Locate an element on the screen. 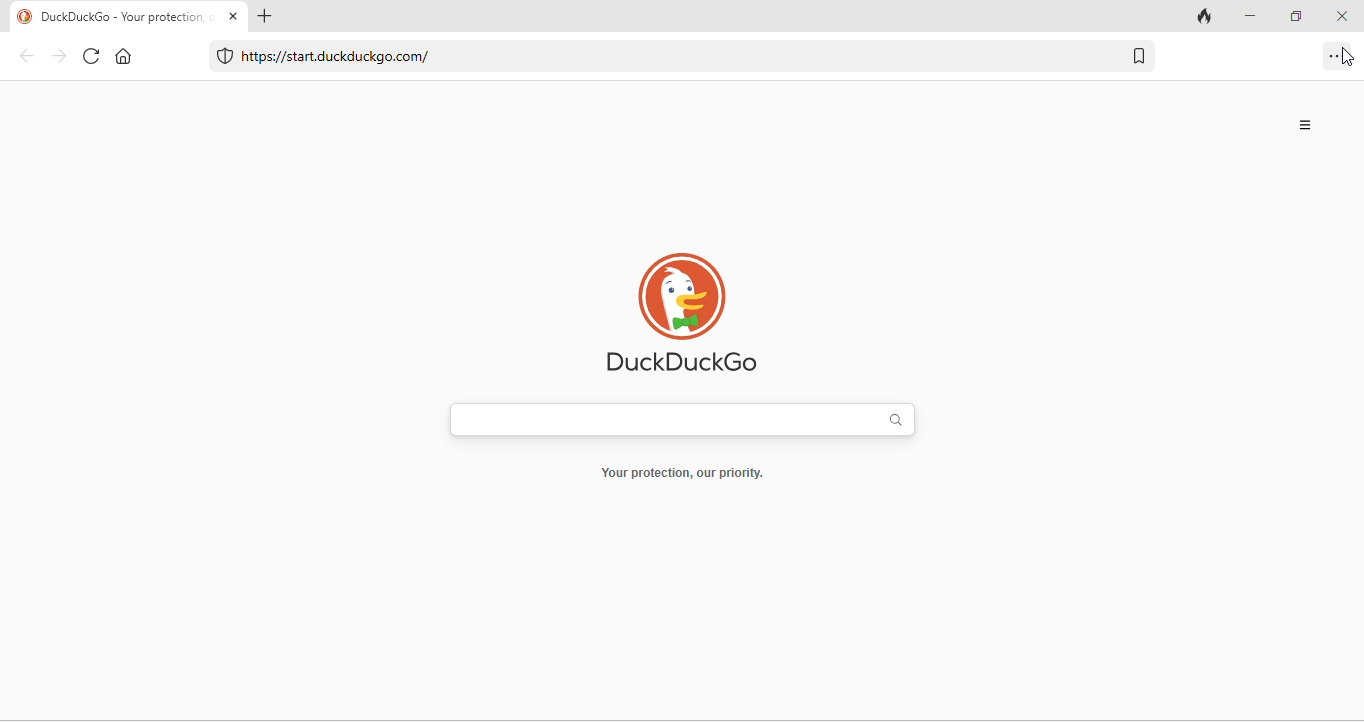 The height and width of the screenshot is (722, 1364). cursor is located at coordinates (1349, 59).